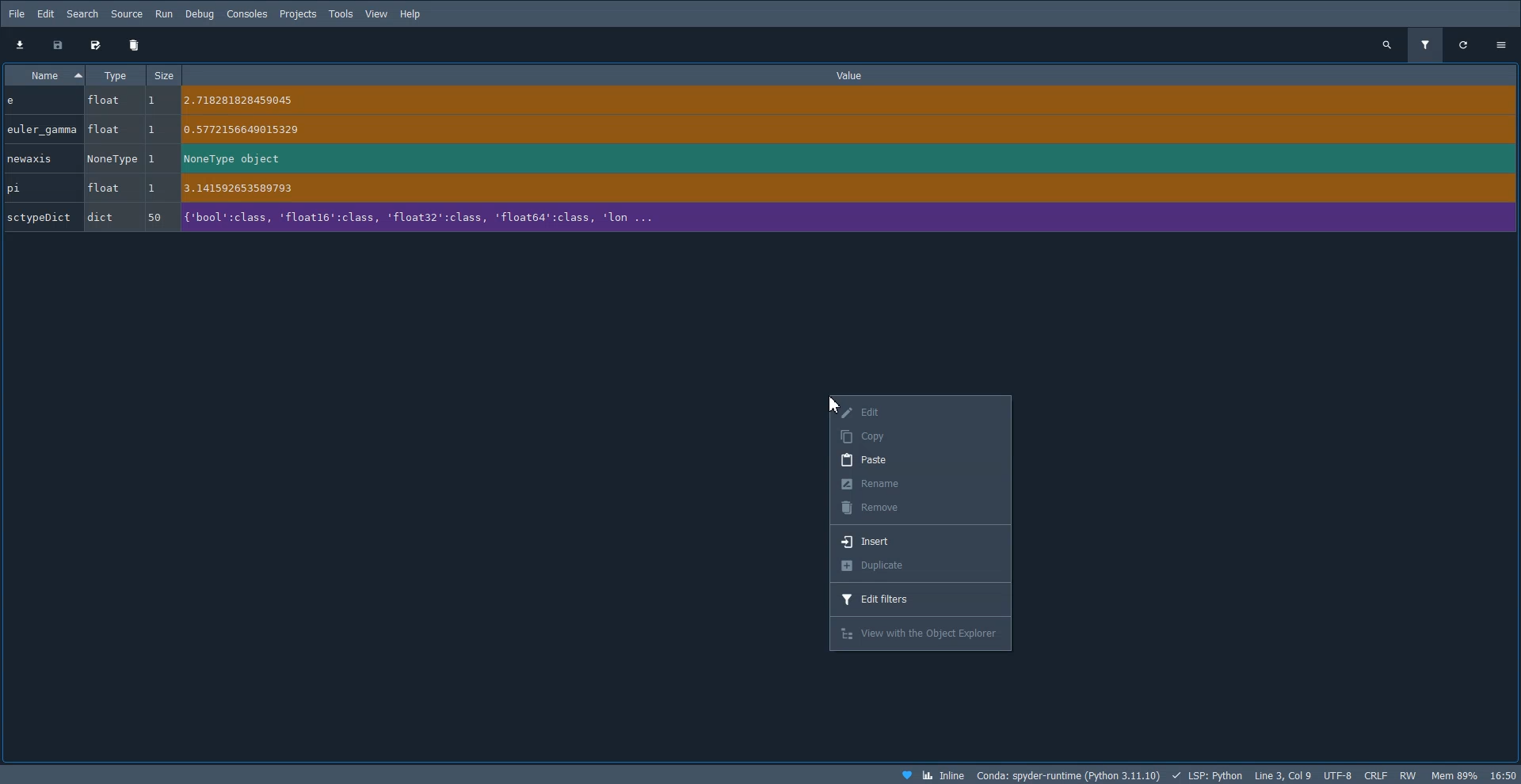 The height and width of the screenshot is (784, 1521). What do you see at coordinates (1503, 43) in the screenshot?
I see `Settings` at bounding box center [1503, 43].